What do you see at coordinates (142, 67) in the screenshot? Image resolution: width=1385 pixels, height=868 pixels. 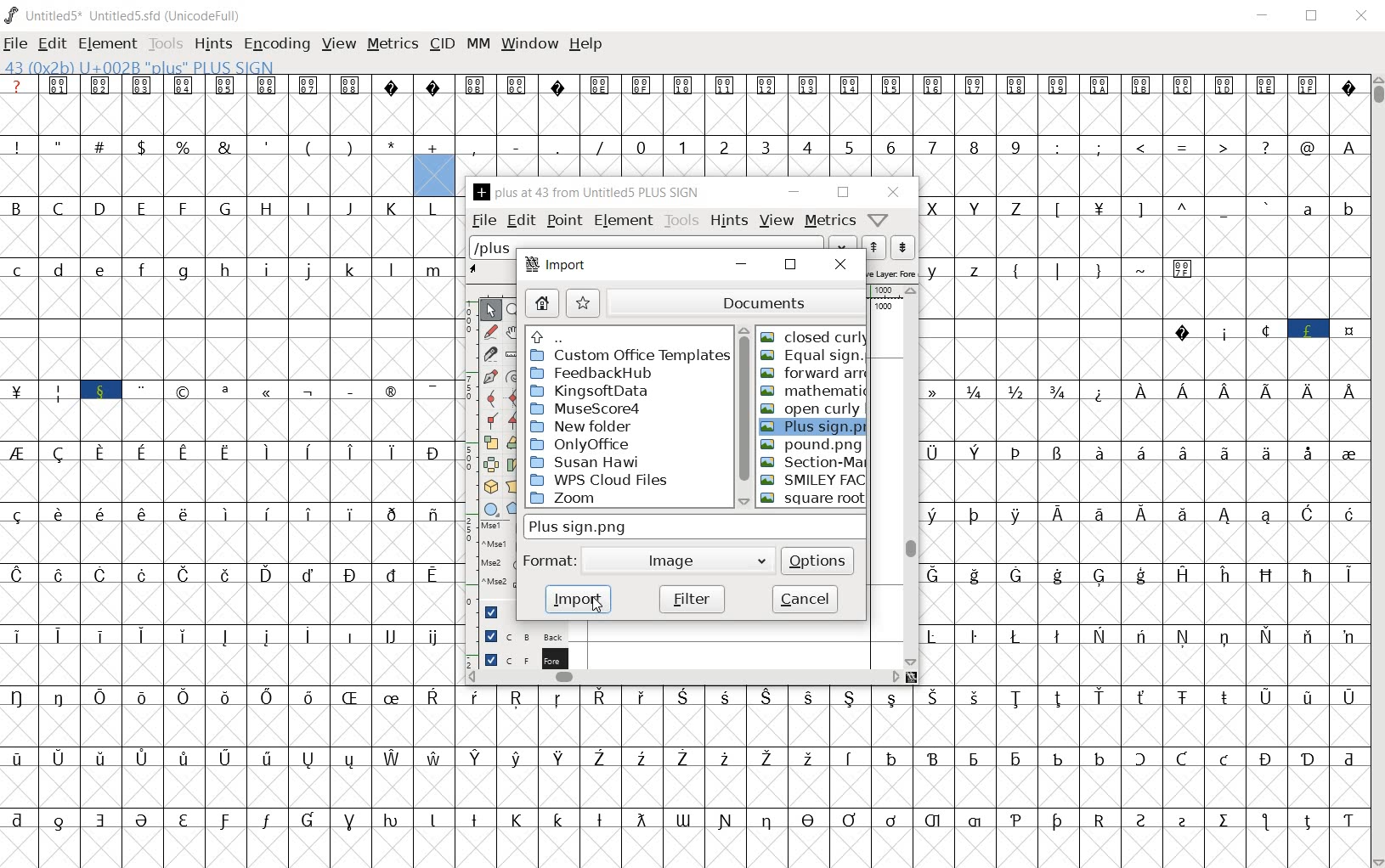 I see `43 (0X2B) u+002b "plus" PLUS SIGN` at bounding box center [142, 67].